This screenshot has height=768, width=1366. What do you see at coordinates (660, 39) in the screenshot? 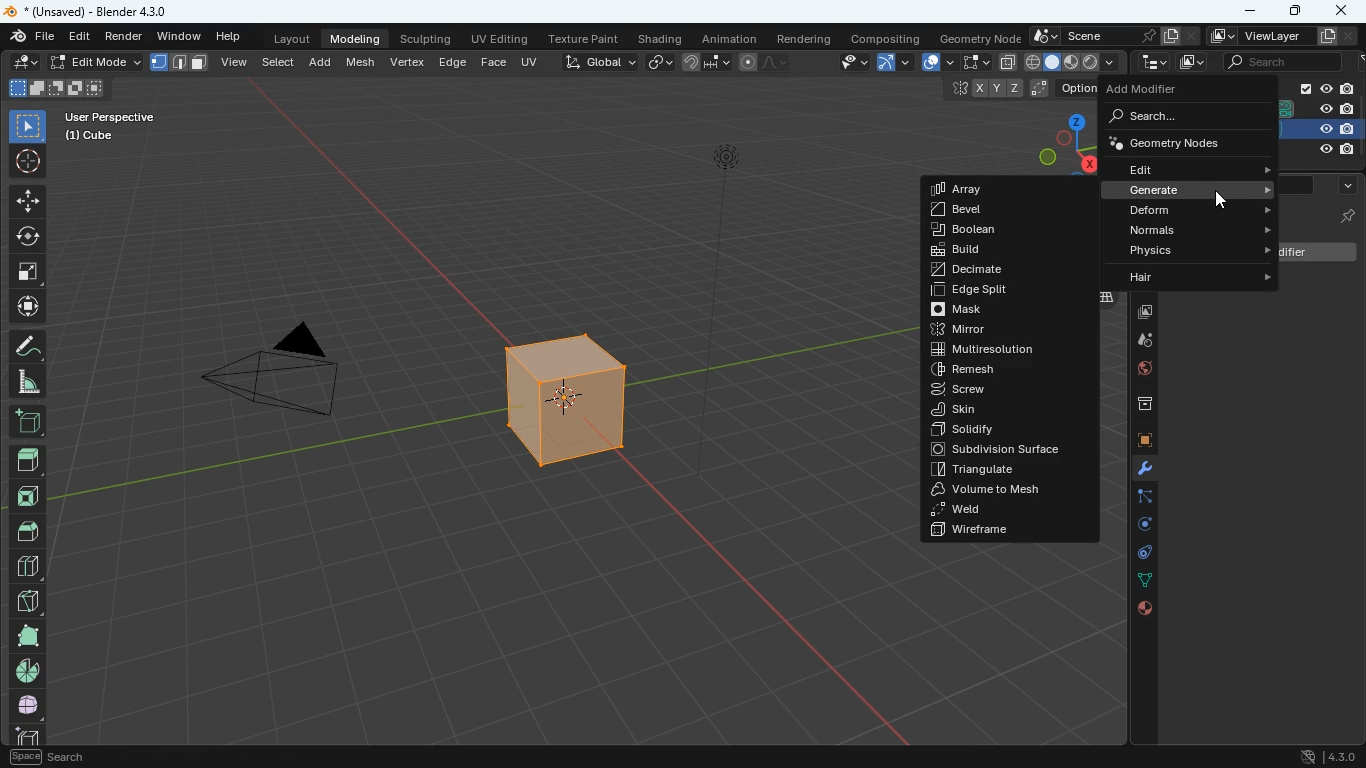
I see `shading` at bounding box center [660, 39].